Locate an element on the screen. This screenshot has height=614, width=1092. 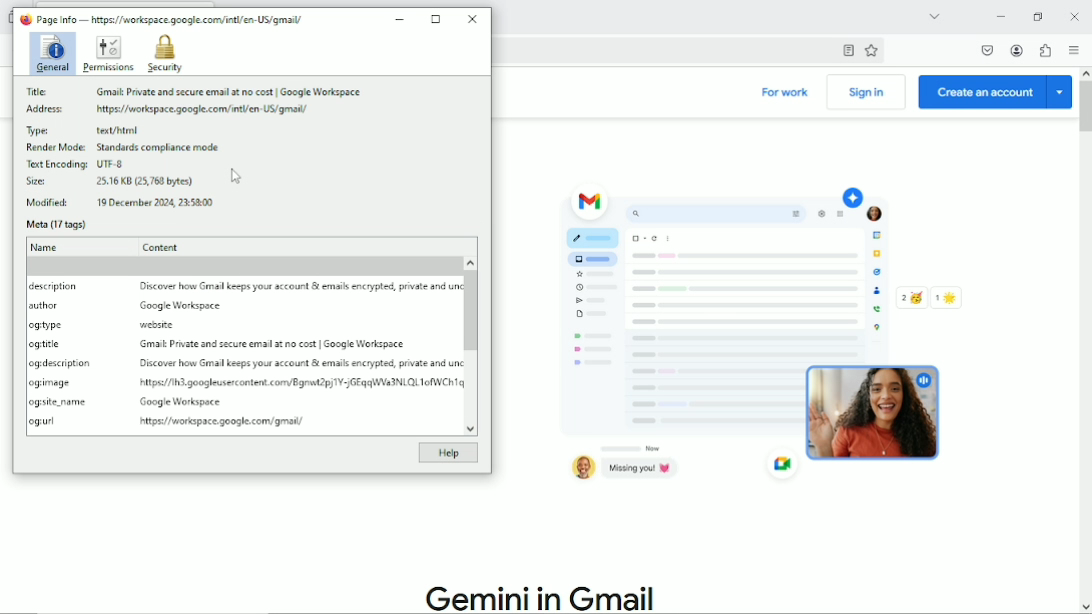
Graphic is located at coordinates (758, 335).